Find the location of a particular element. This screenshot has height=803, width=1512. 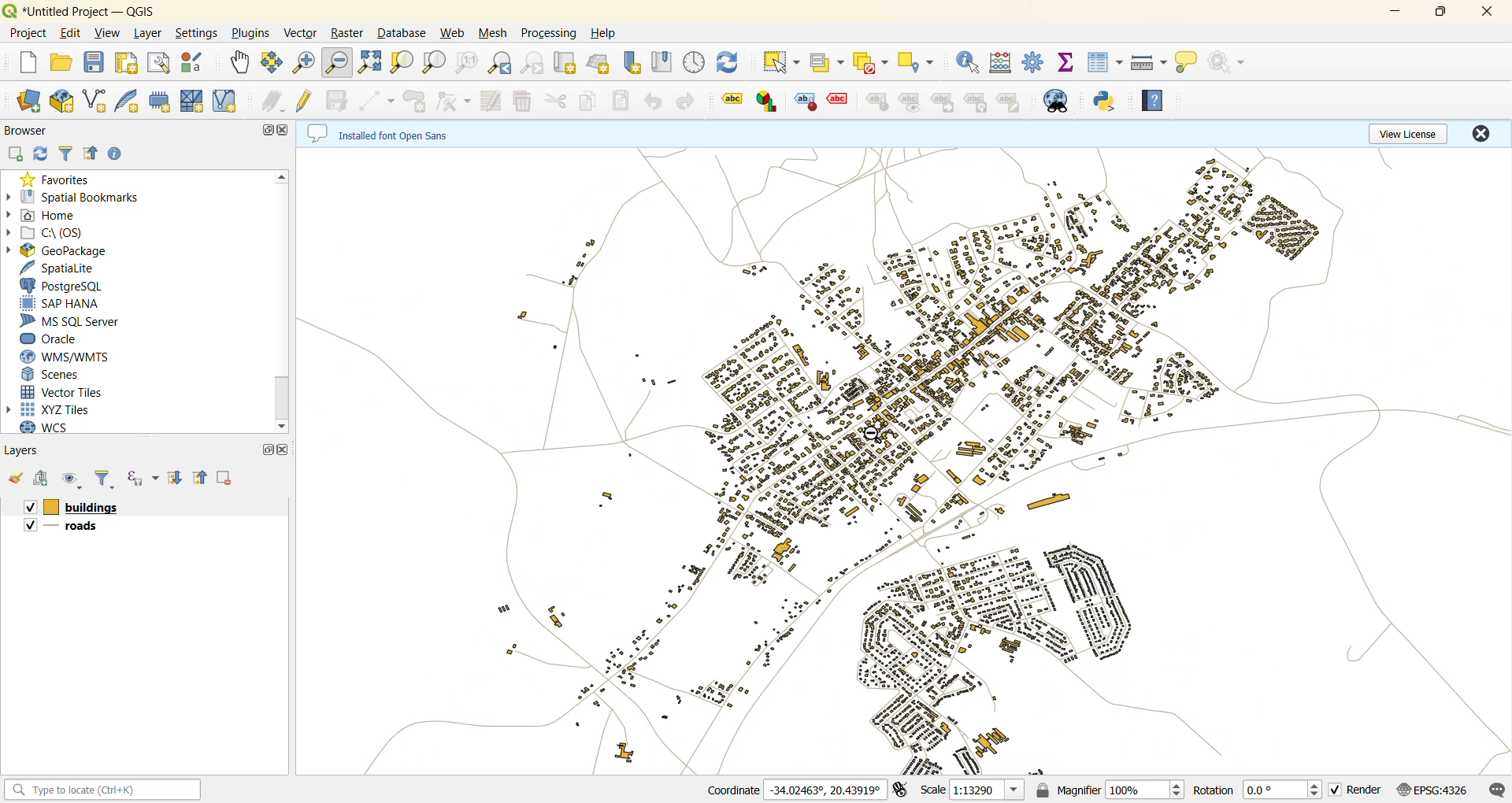

xyz tiles is located at coordinates (55, 409).